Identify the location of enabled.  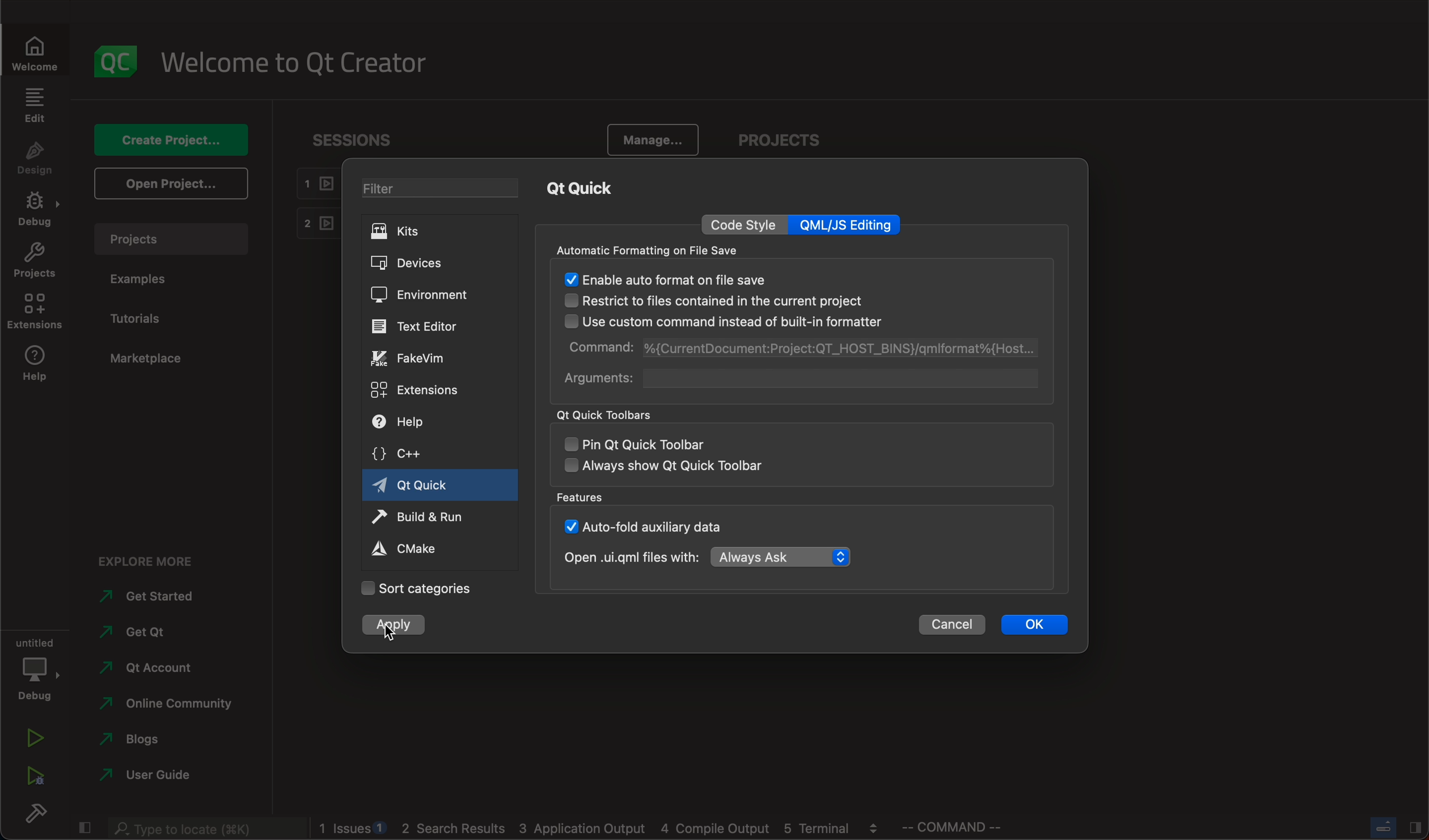
(672, 281).